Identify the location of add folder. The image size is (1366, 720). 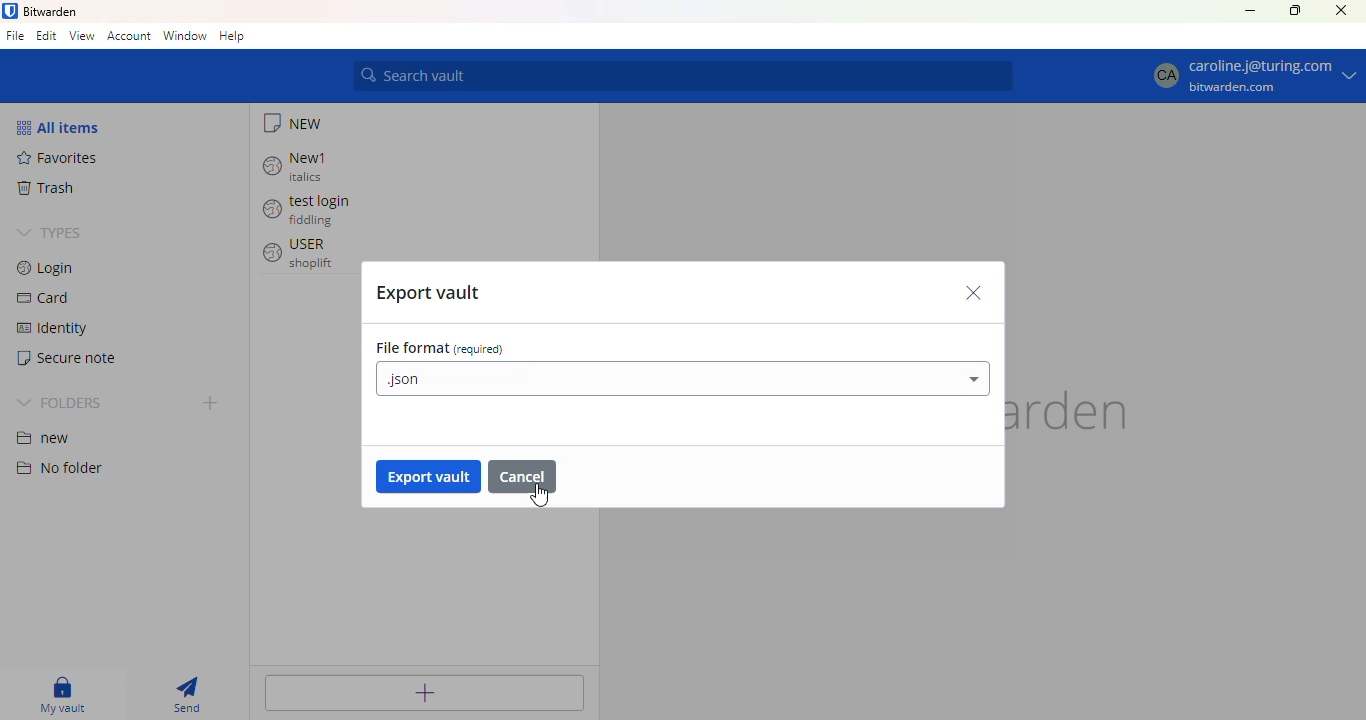
(212, 402).